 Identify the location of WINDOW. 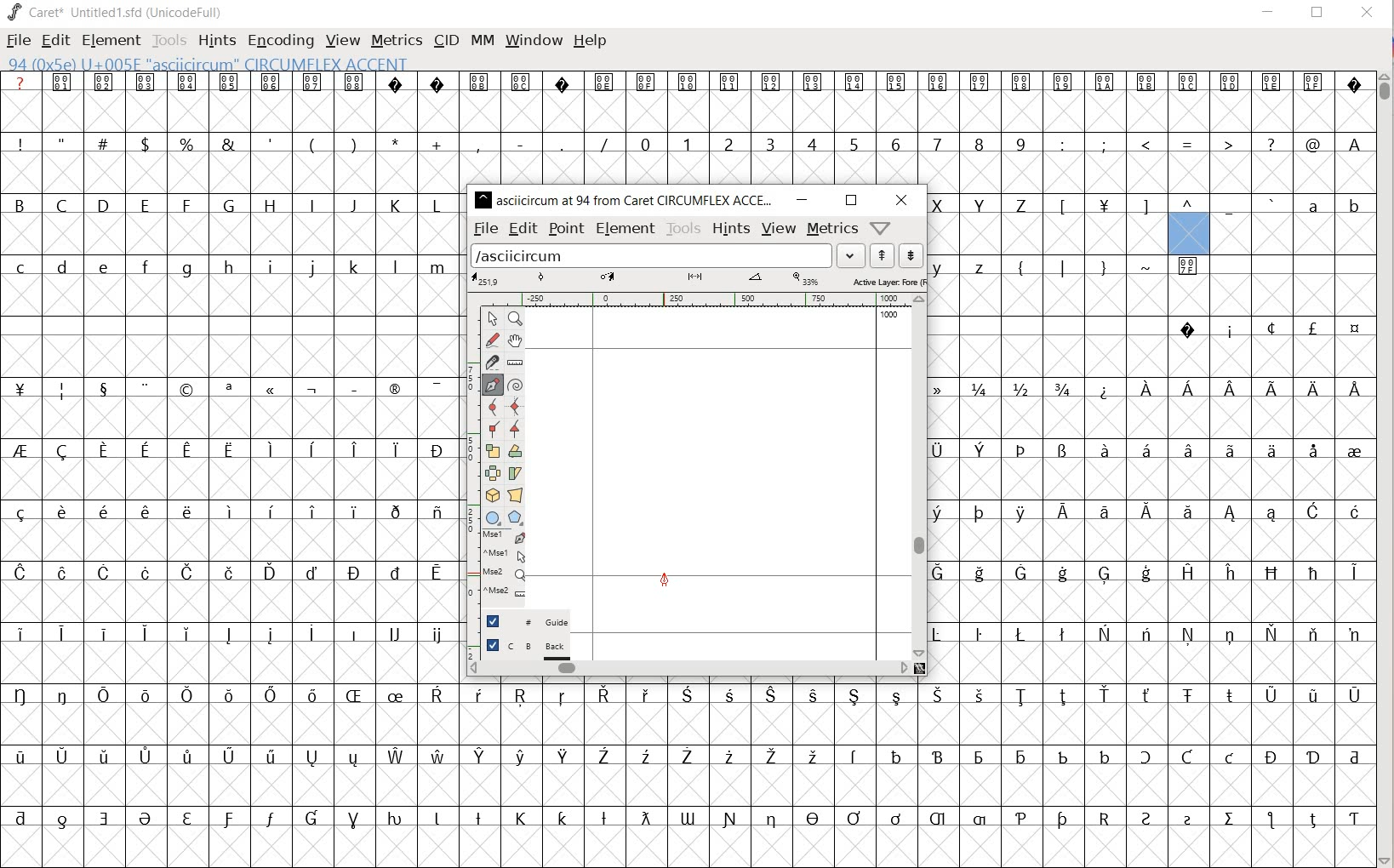
(532, 39).